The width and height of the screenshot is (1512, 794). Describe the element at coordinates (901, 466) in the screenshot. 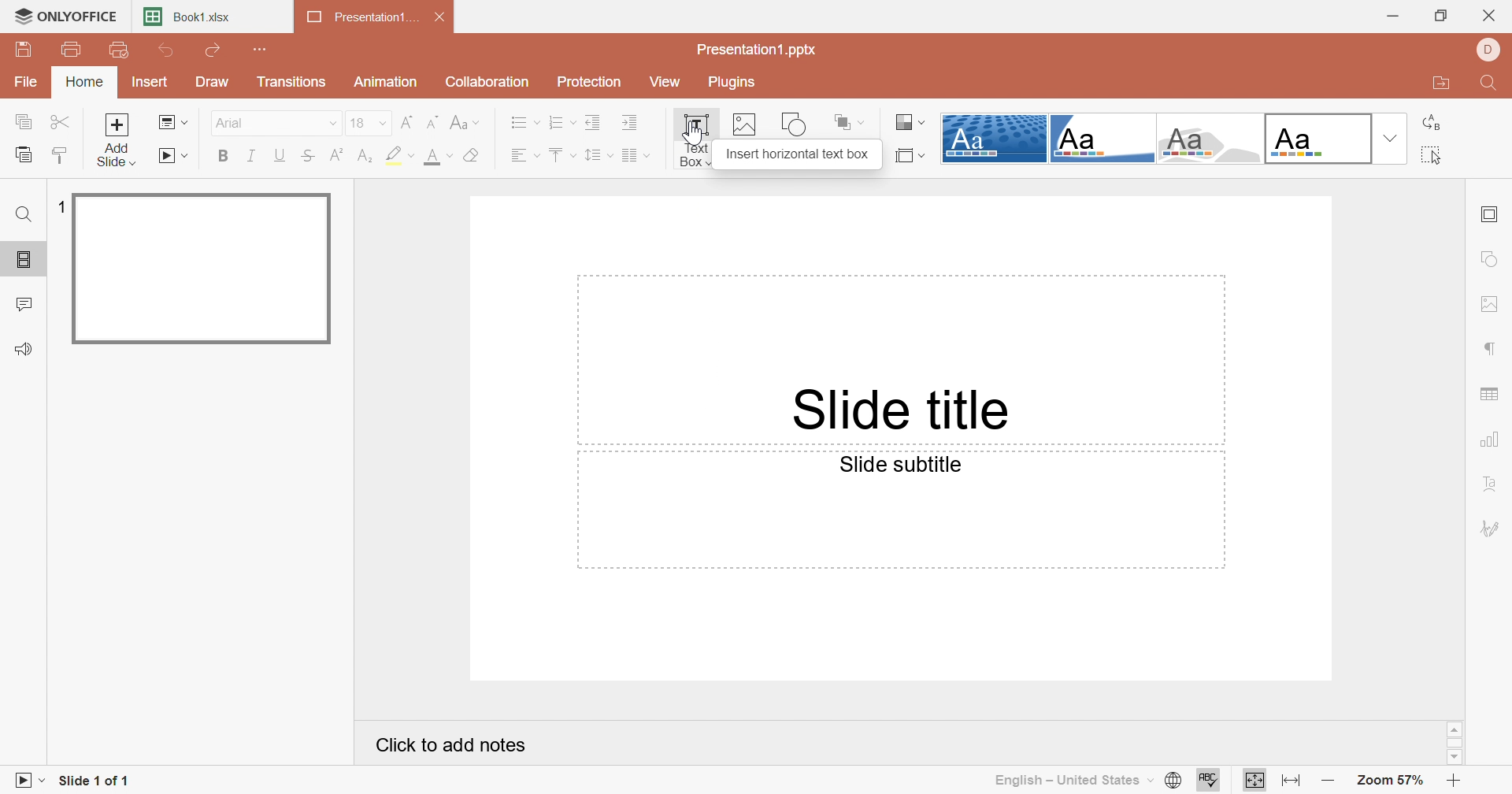

I see `Slide subtitle` at that location.